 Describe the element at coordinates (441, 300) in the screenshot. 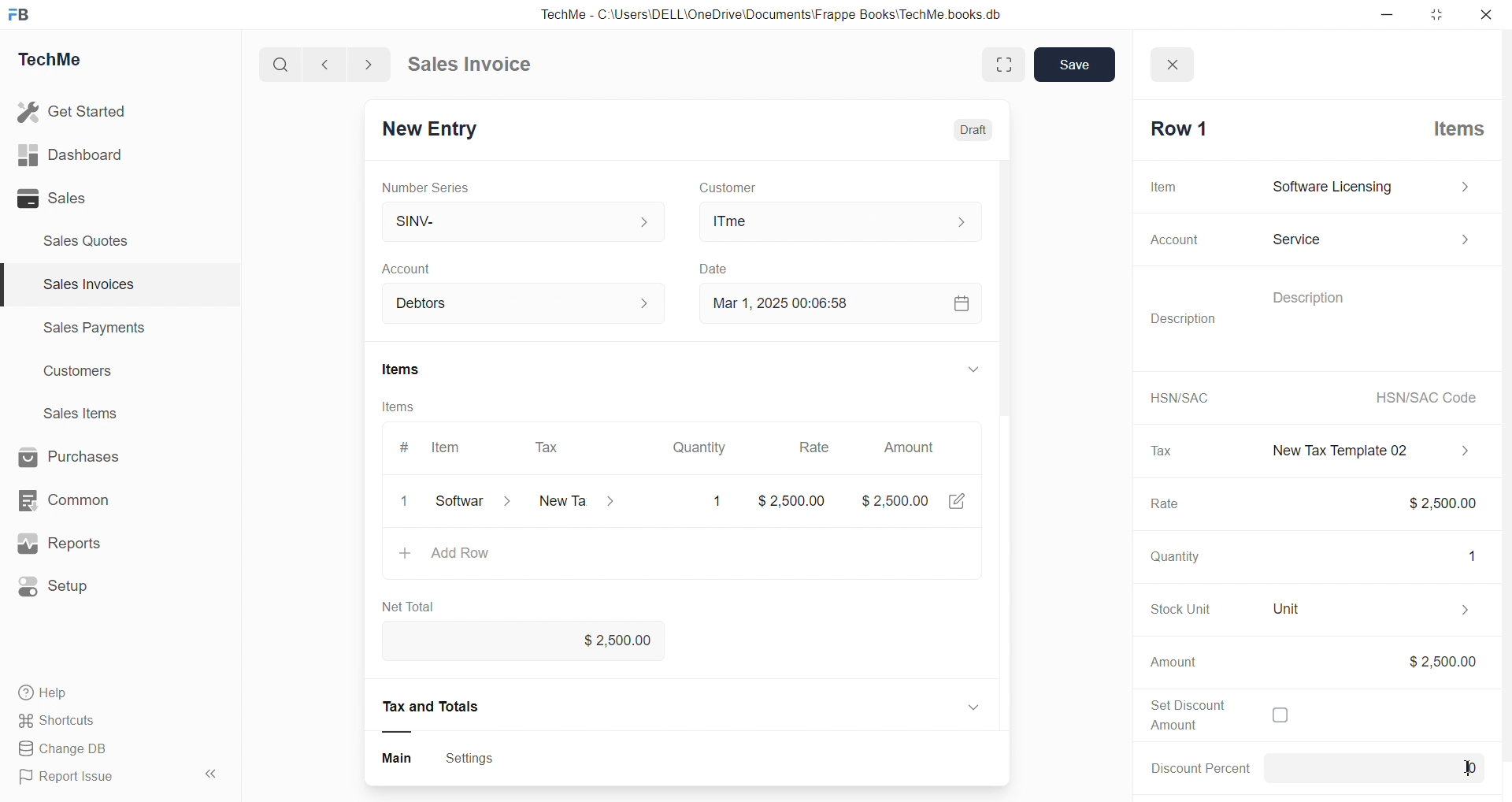

I see `Account` at that location.